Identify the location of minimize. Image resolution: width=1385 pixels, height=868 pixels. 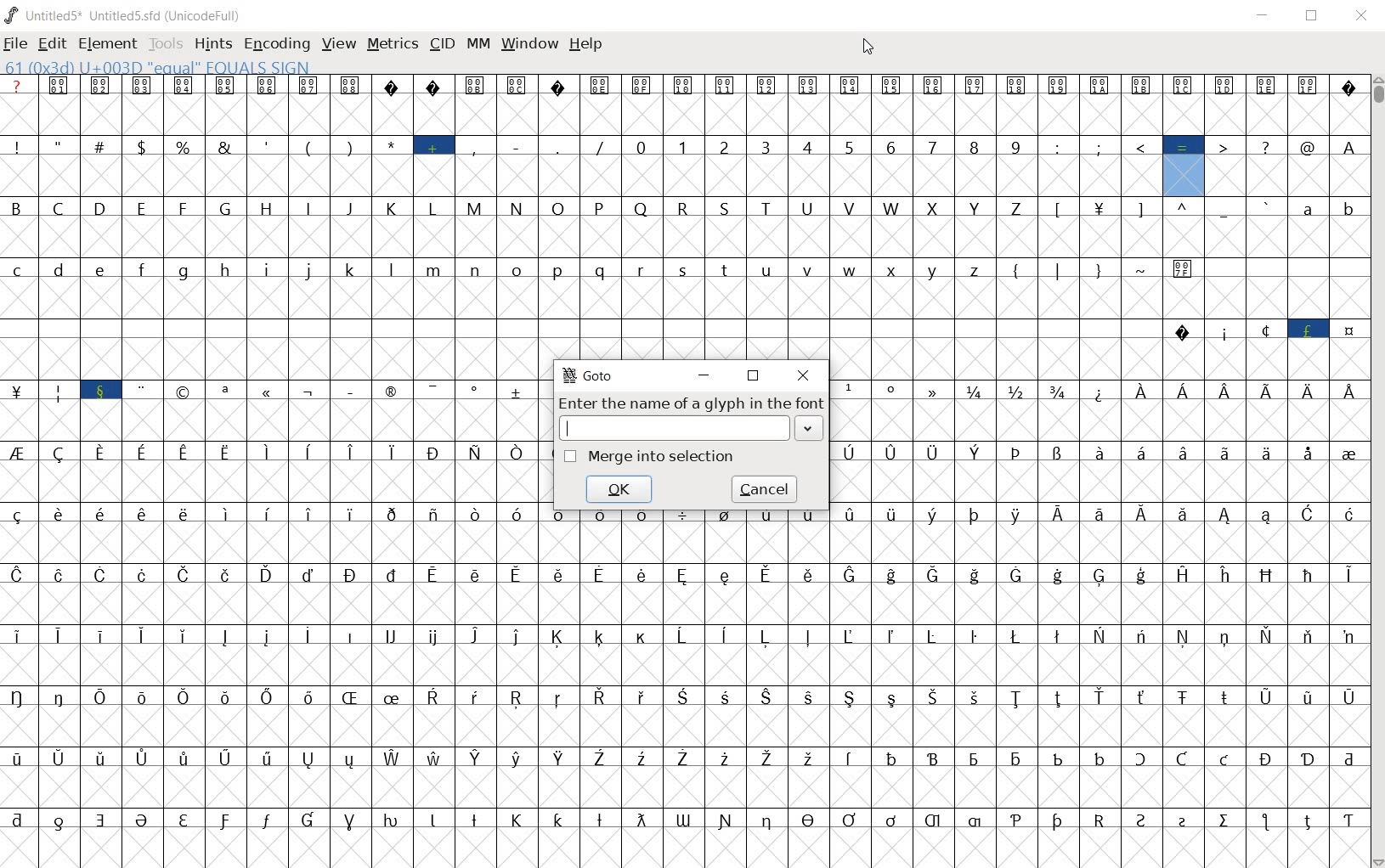
(704, 373).